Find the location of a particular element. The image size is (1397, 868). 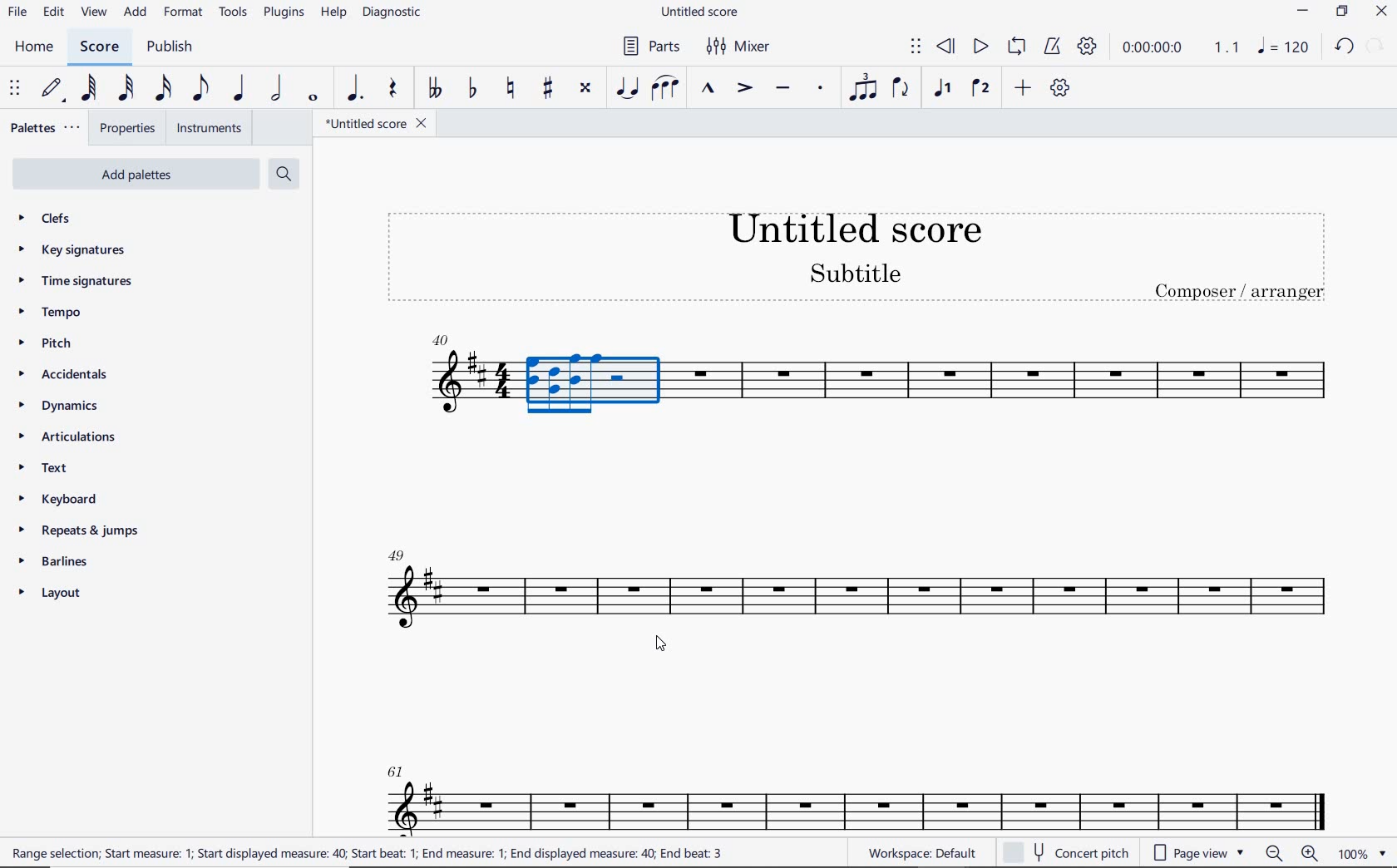

PUBLISH is located at coordinates (170, 48).